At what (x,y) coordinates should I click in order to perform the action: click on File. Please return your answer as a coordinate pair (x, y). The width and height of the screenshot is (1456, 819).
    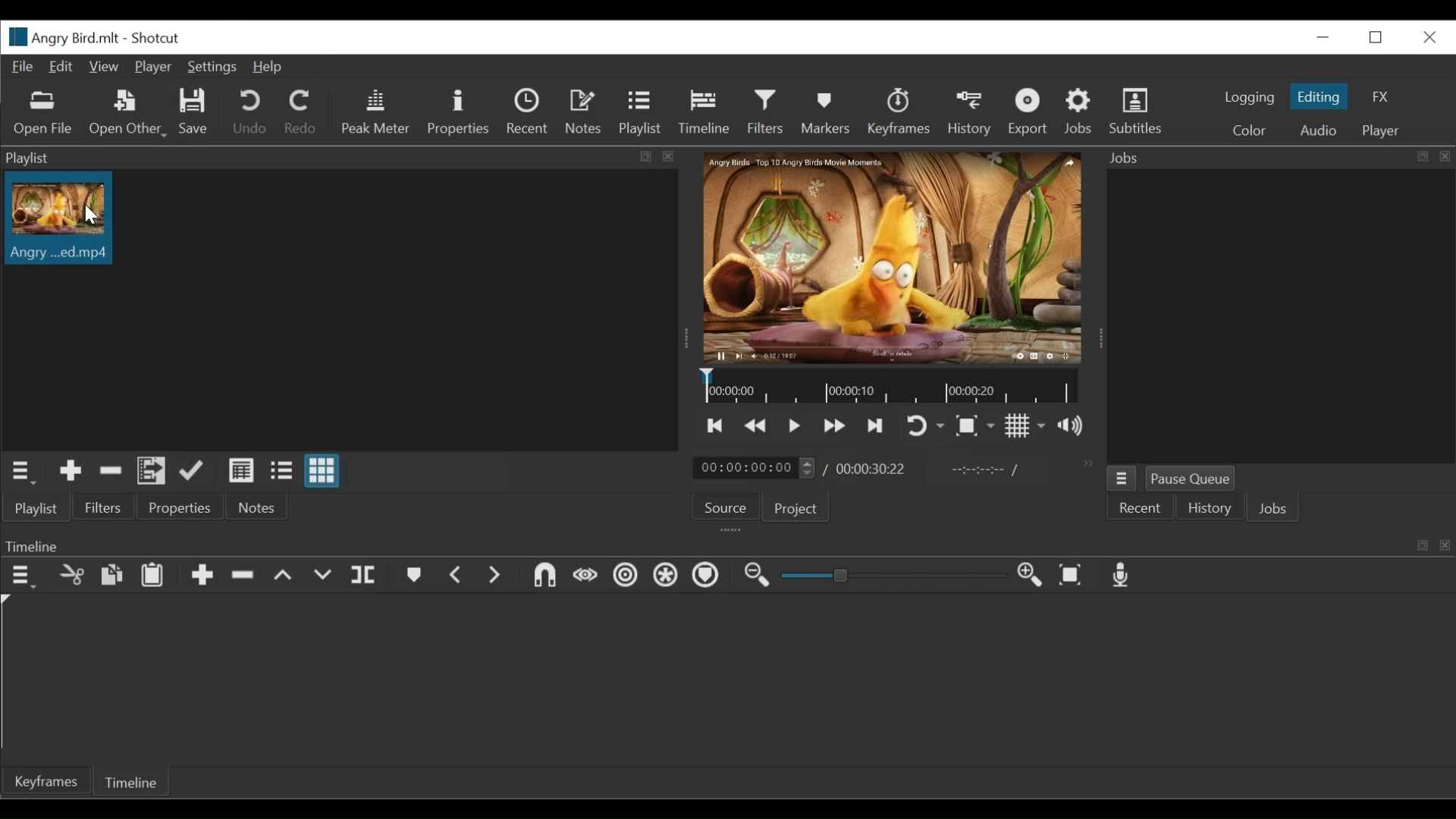
    Looking at the image, I should click on (24, 67).